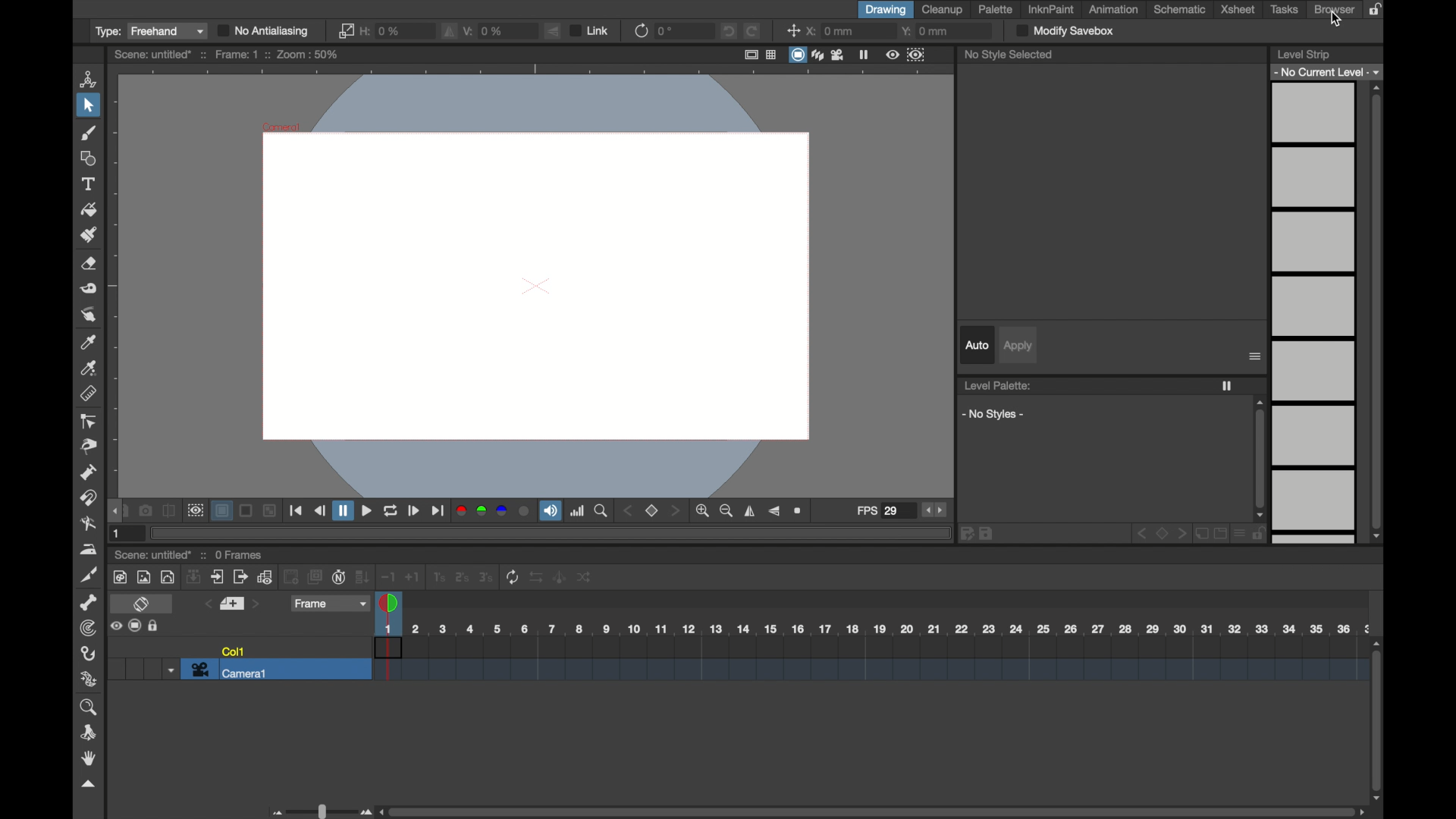 This screenshot has height=819, width=1456. I want to click on playback controls, so click(368, 513).